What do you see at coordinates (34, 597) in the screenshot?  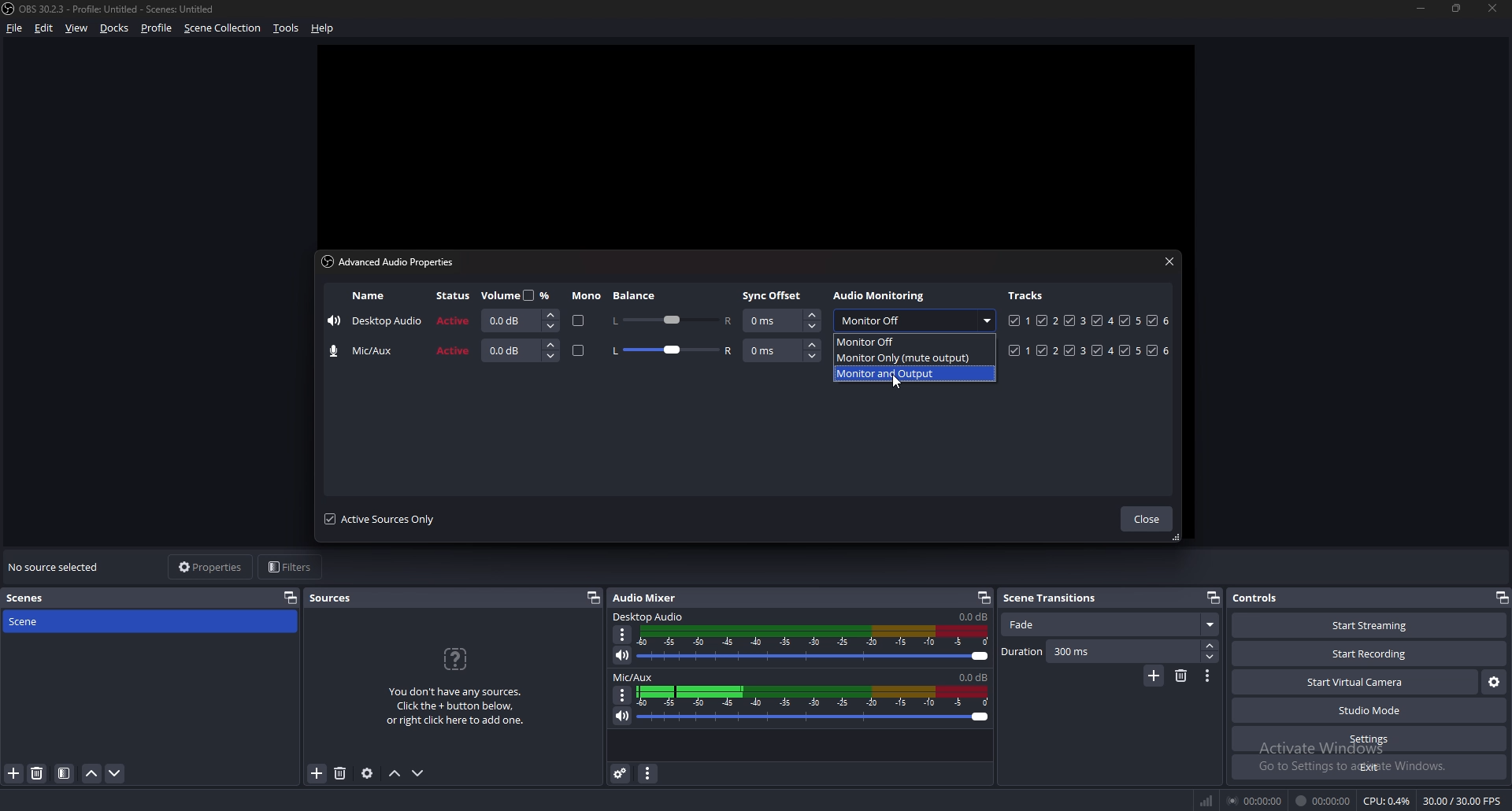 I see `scenes` at bounding box center [34, 597].